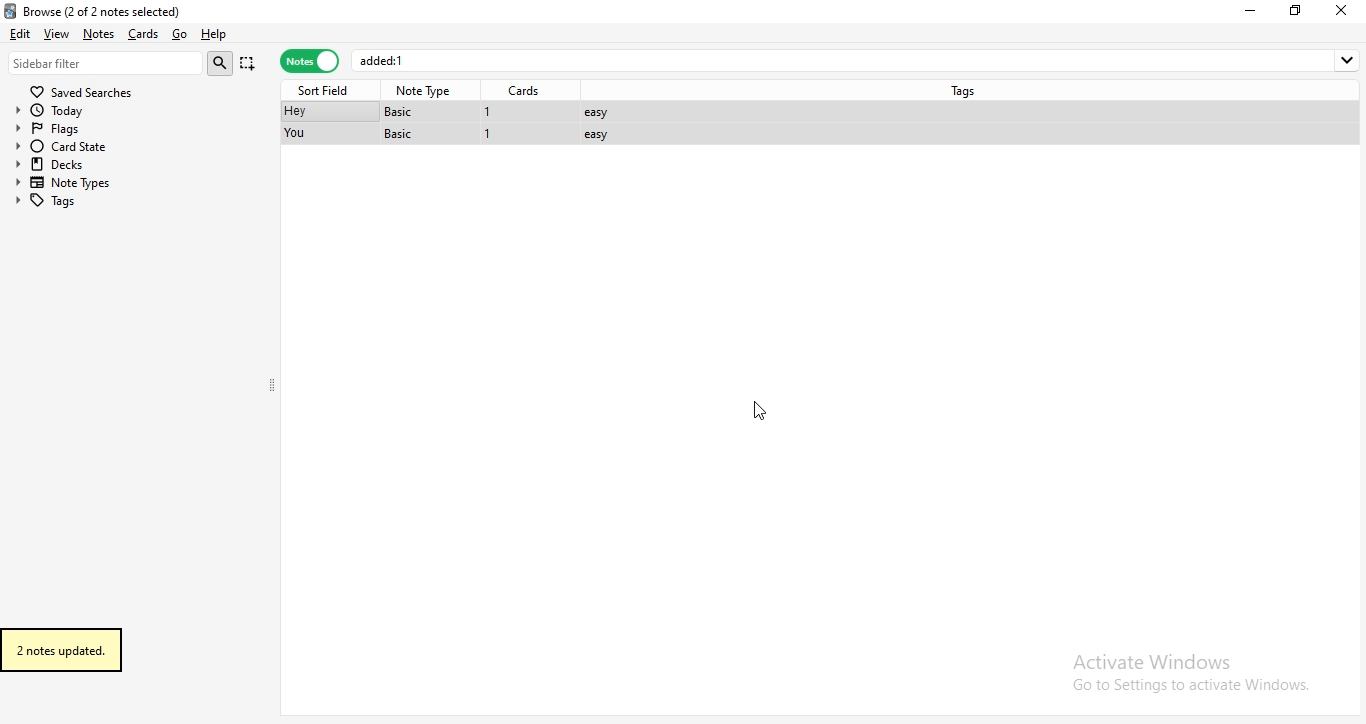  What do you see at coordinates (68, 183) in the screenshot?
I see `note types` at bounding box center [68, 183].